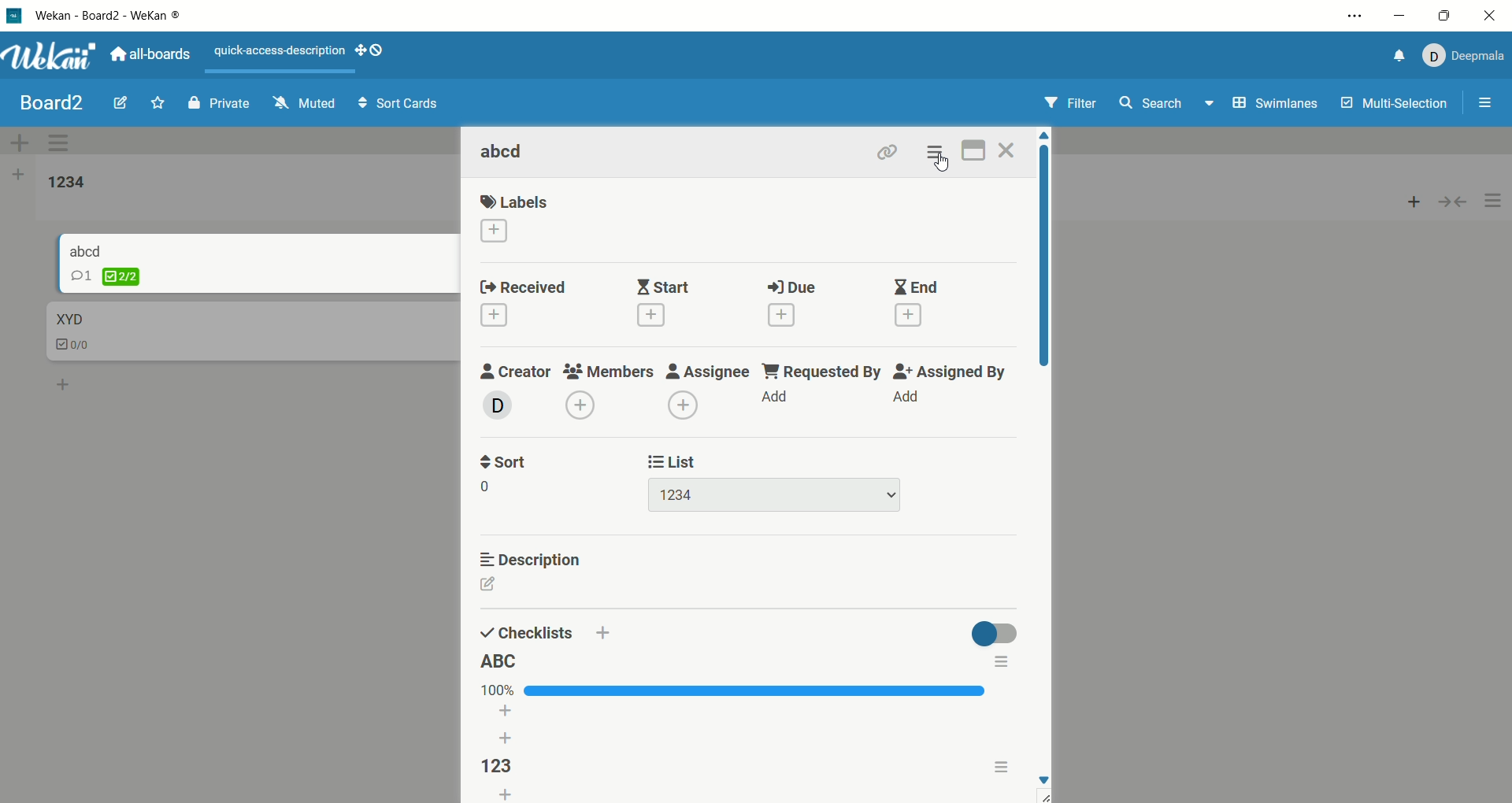 Image resolution: width=1512 pixels, height=803 pixels. I want to click on description, so click(533, 557).